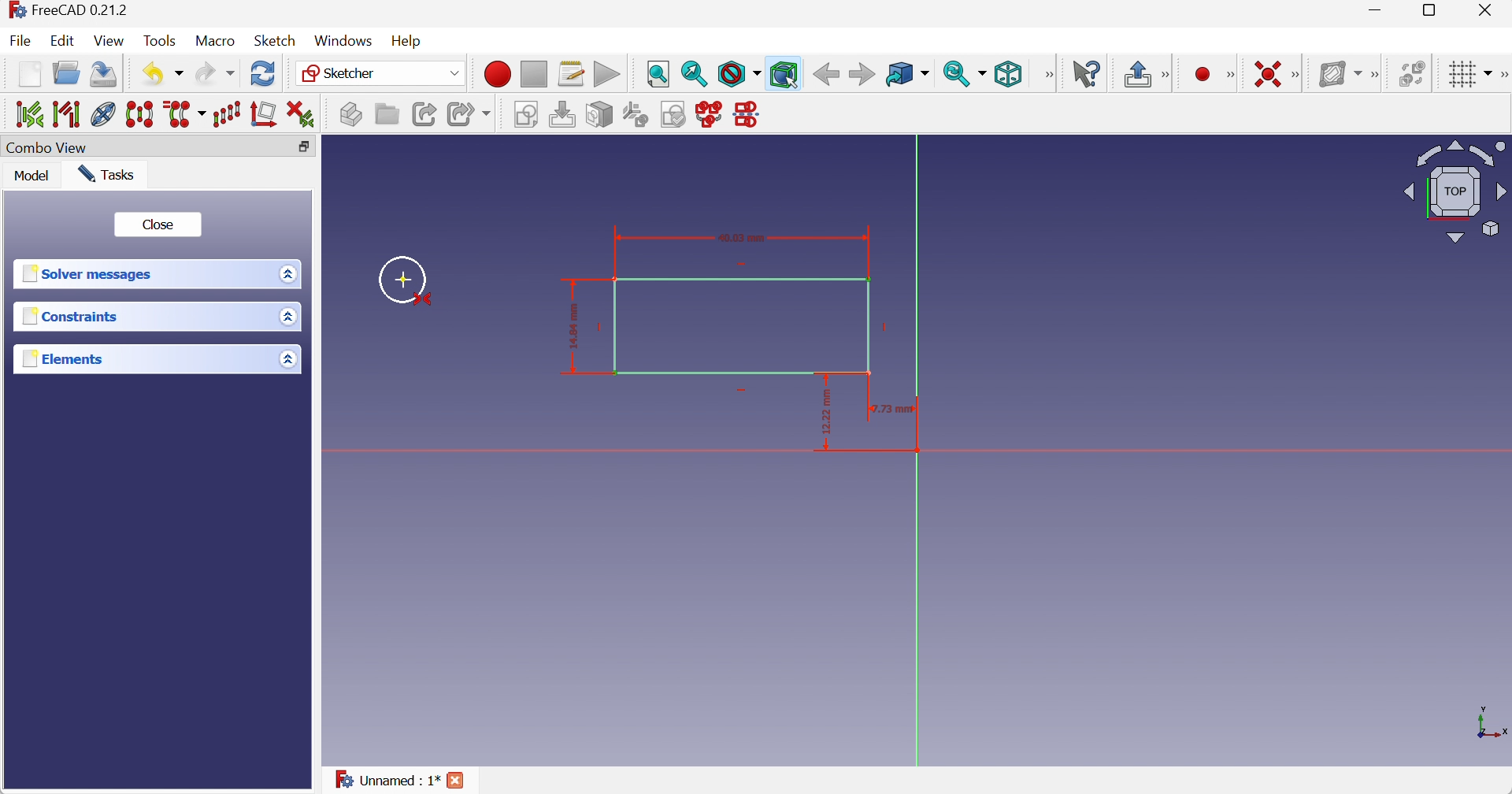 This screenshot has width=1512, height=794. What do you see at coordinates (1473, 75) in the screenshot?
I see `Toggle grid` at bounding box center [1473, 75].